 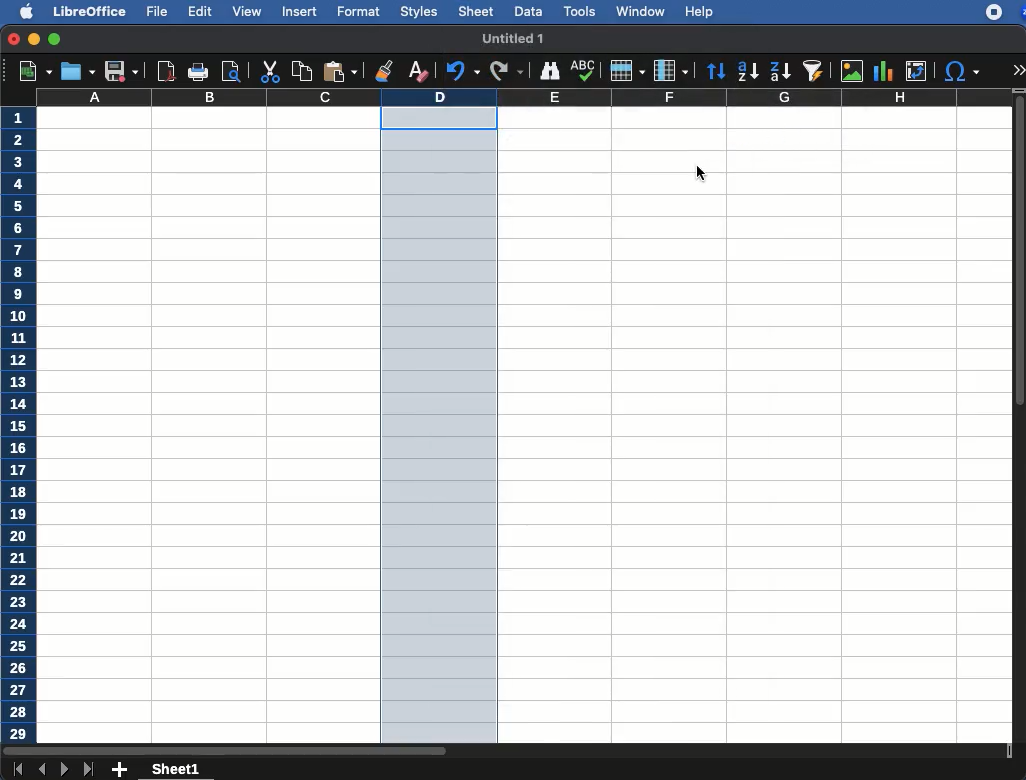 What do you see at coordinates (359, 12) in the screenshot?
I see `format` at bounding box center [359, 12].